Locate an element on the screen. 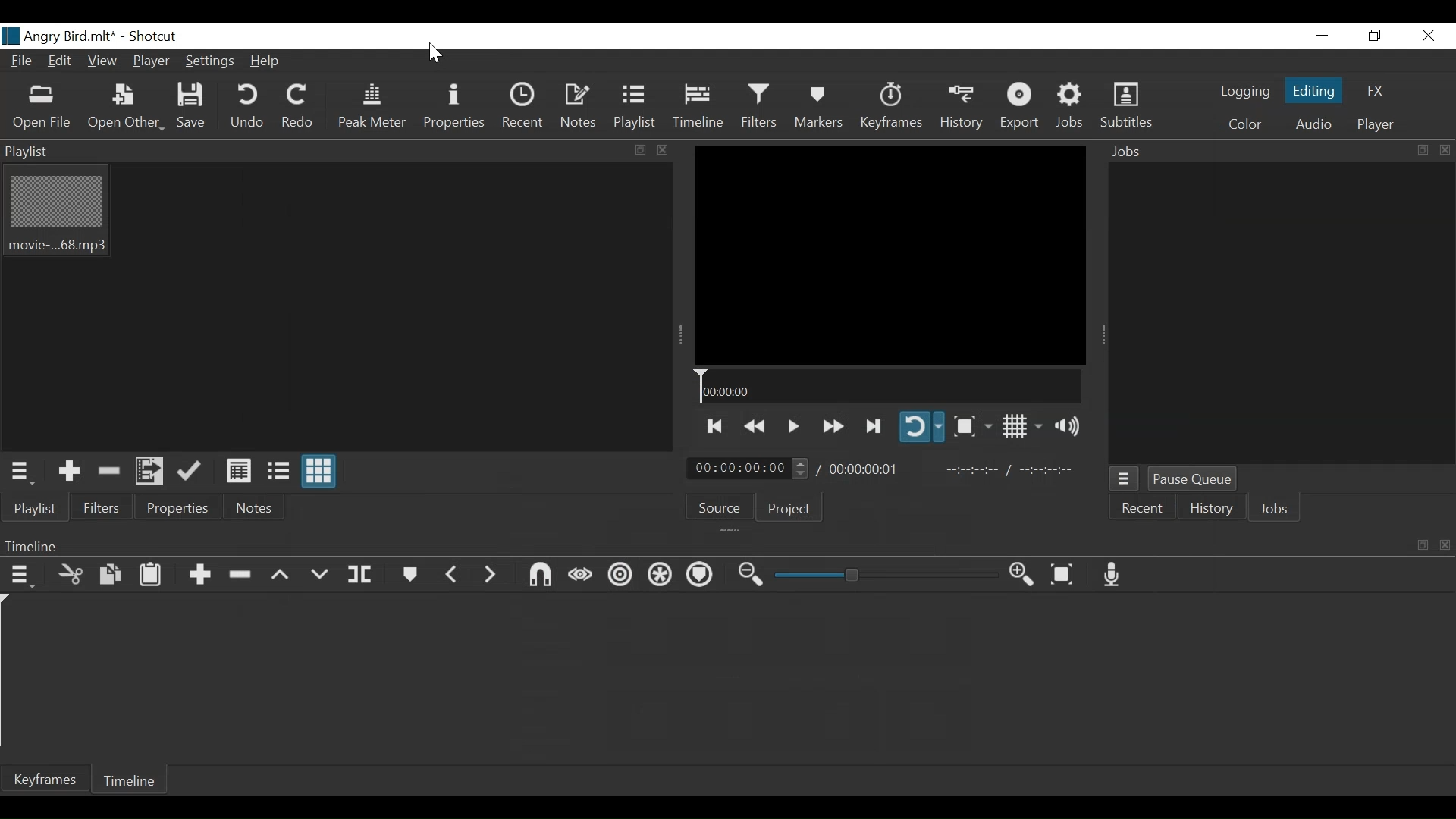 The image size is (1456, 819). Timeline menu is located at coordinates (19, 574).